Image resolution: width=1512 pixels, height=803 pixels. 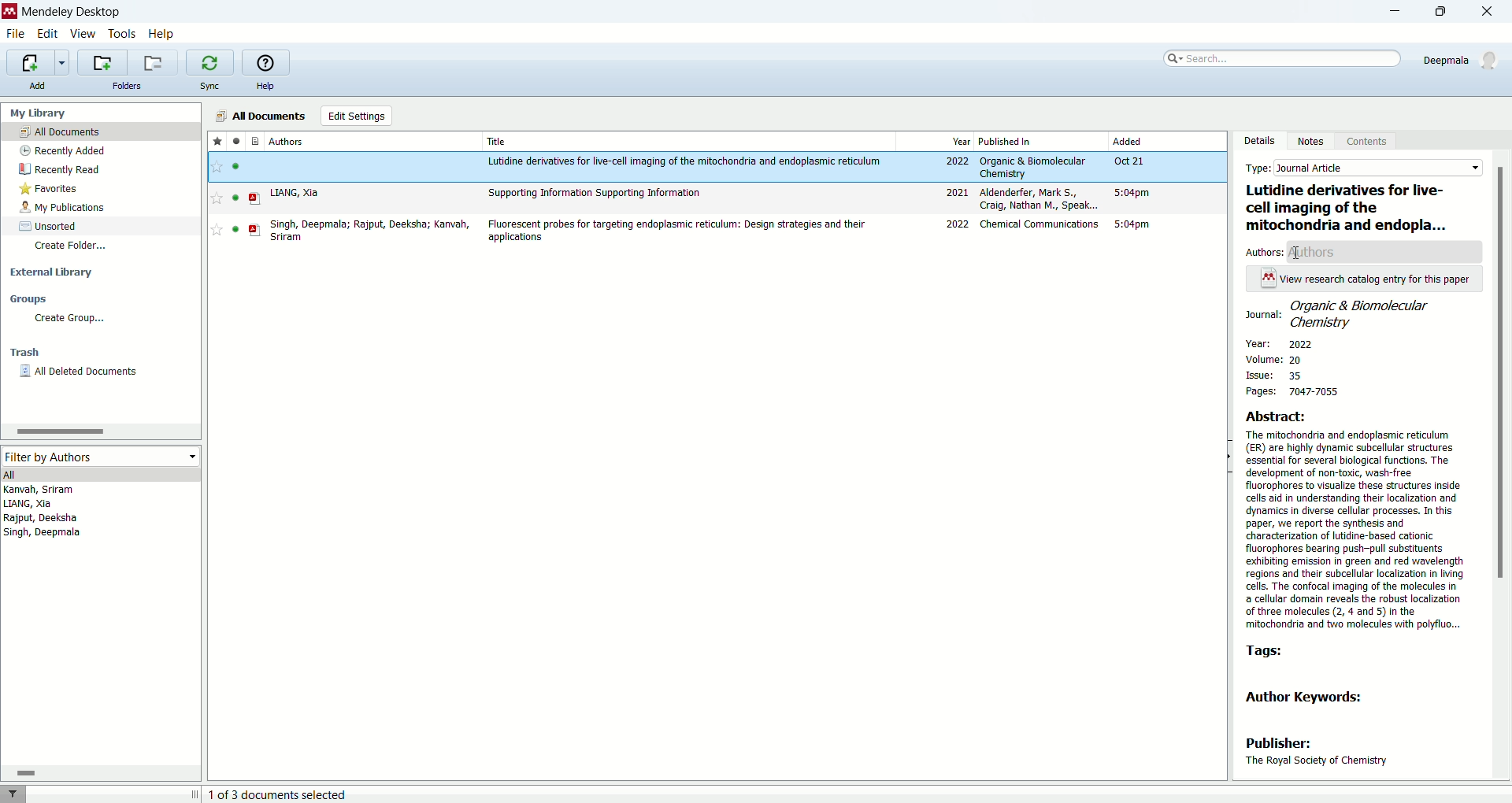 I want to click on author keywords, so click(x=1315, y=700).